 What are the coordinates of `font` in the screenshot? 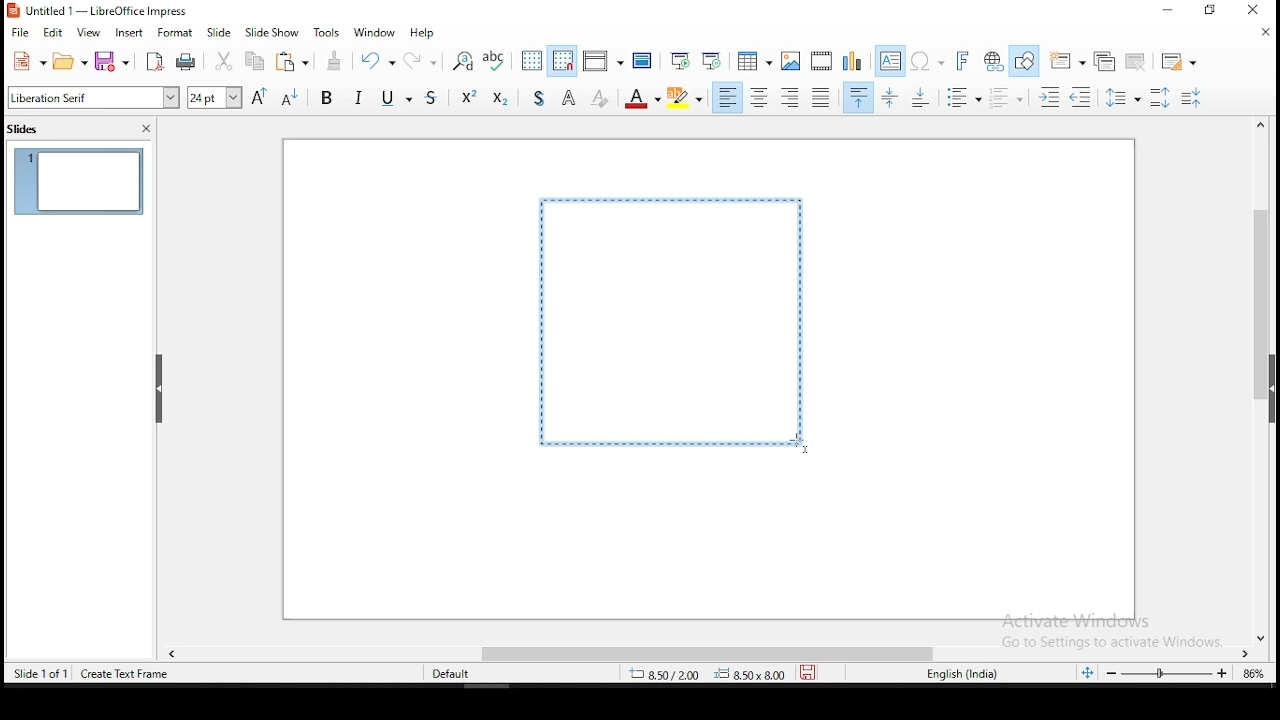 It's located at (92, 99).